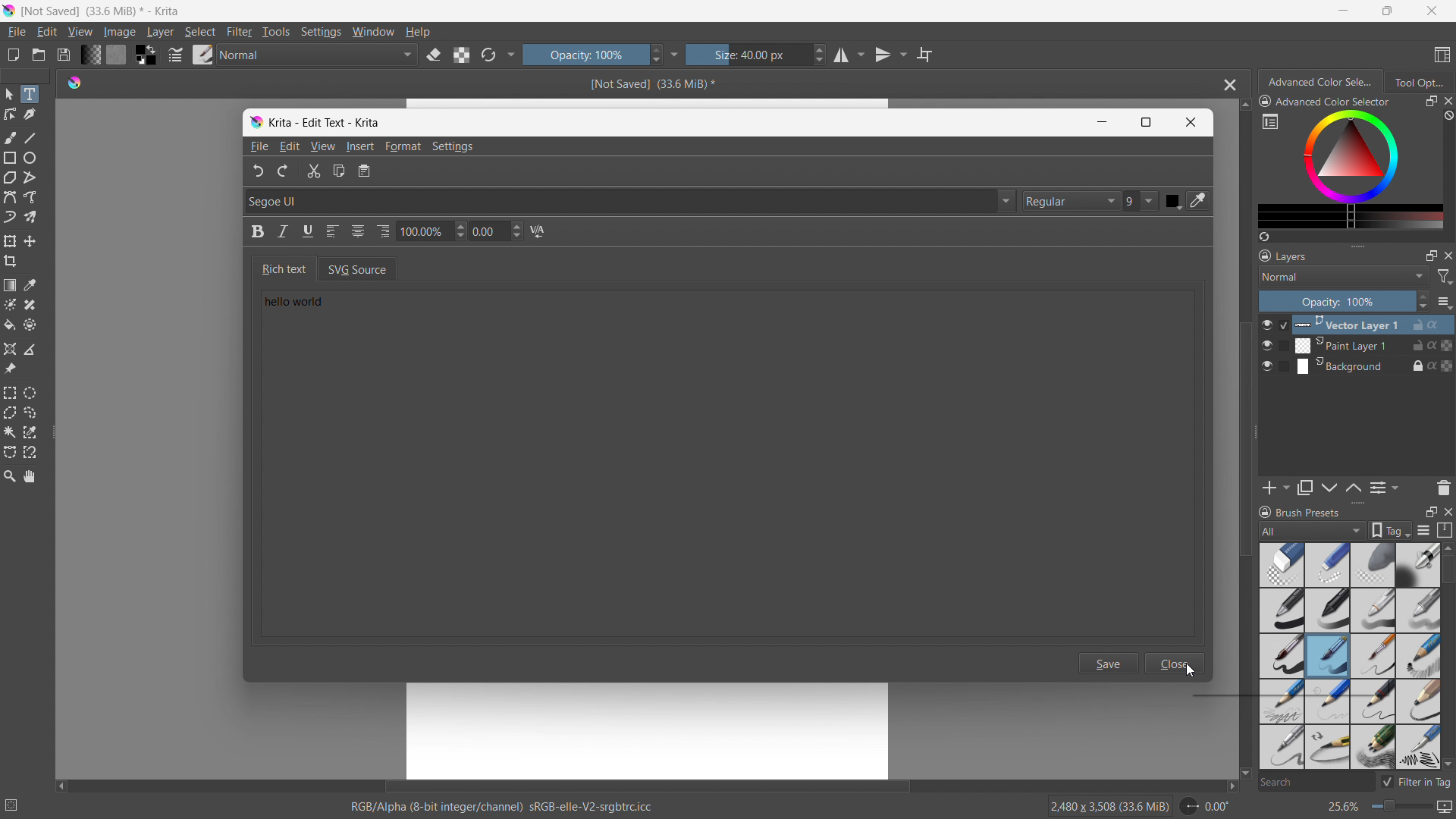 The width and height of the screenshot is (1456, 819). Describe the element at coordinates (9, 475) in the screenshot. I see `zoom tool ` at that location.